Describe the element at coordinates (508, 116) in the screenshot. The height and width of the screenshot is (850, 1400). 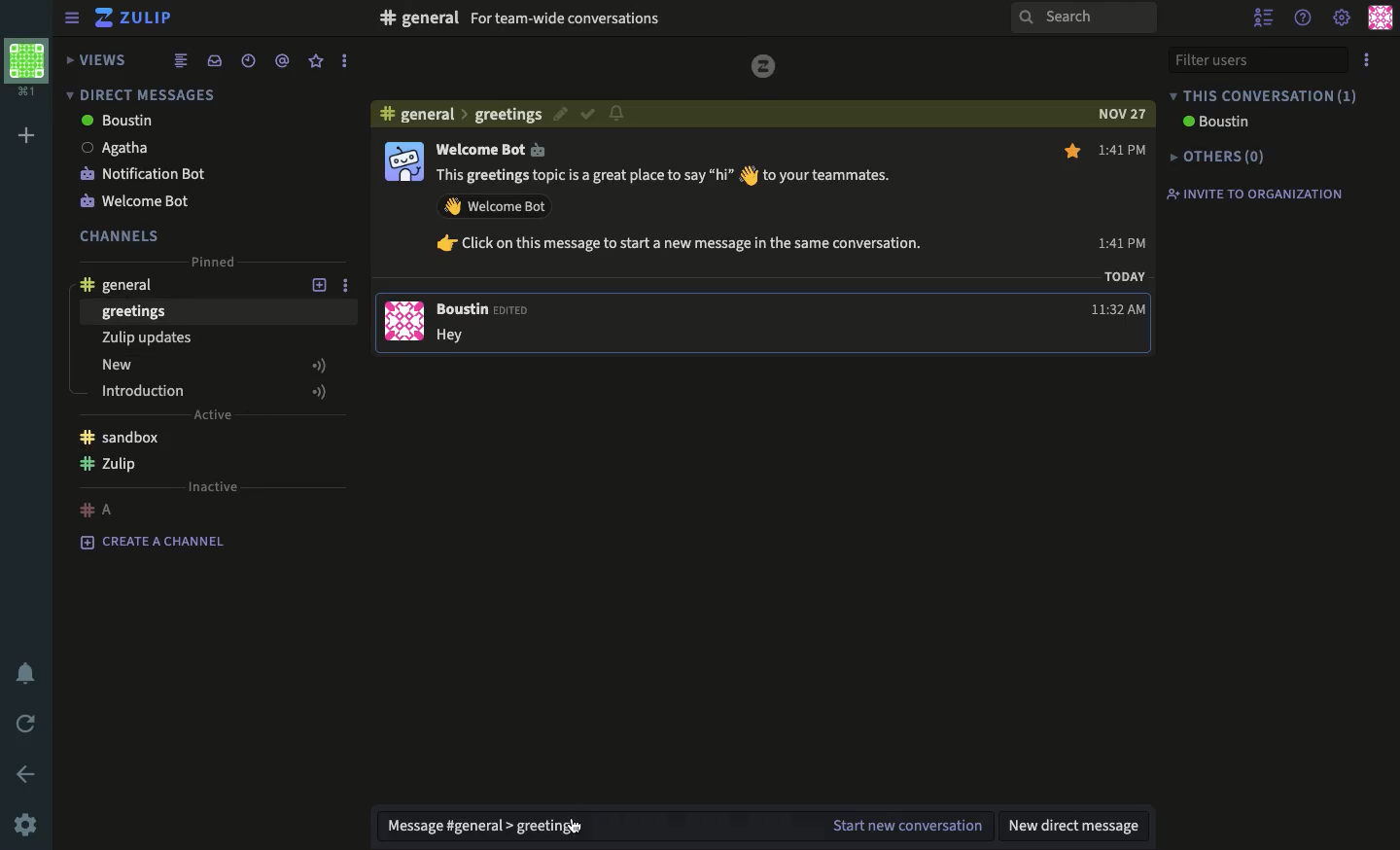
I see `greeting` at that location.